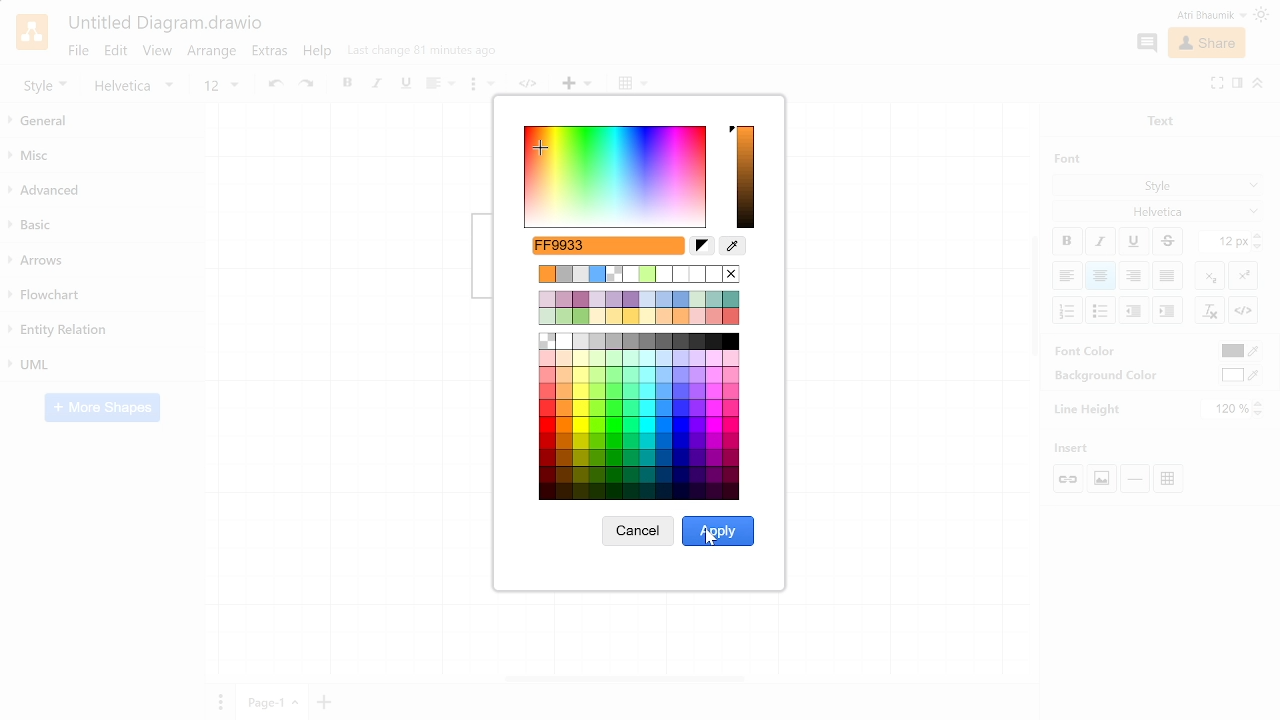 The width and height of the screenshot is (1280, 720). I want to click on Extras, so click(272, 53).